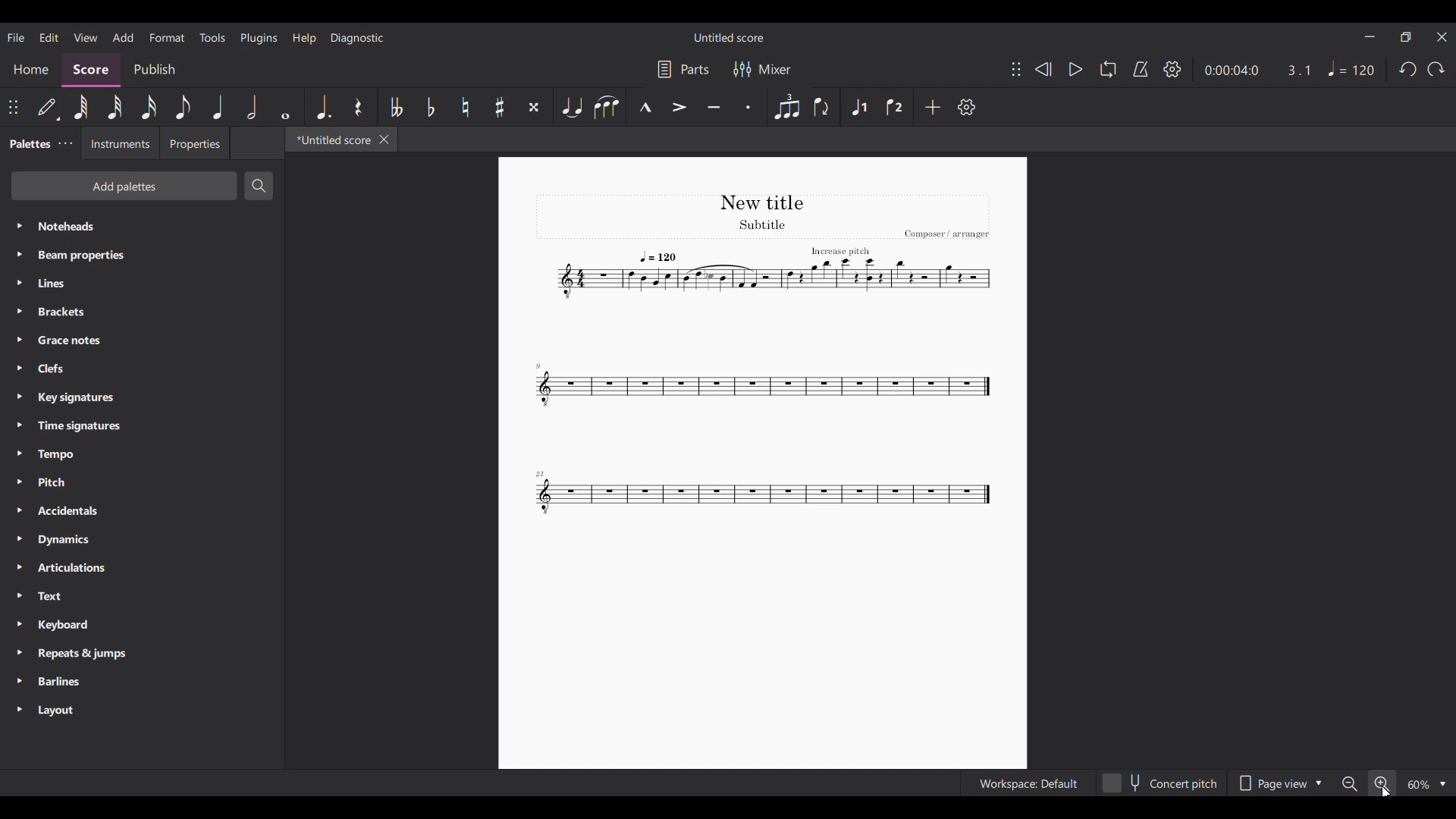  Describe the element at coordinates (143, 510) in the screenshot. I see `Accidentals` at that location.